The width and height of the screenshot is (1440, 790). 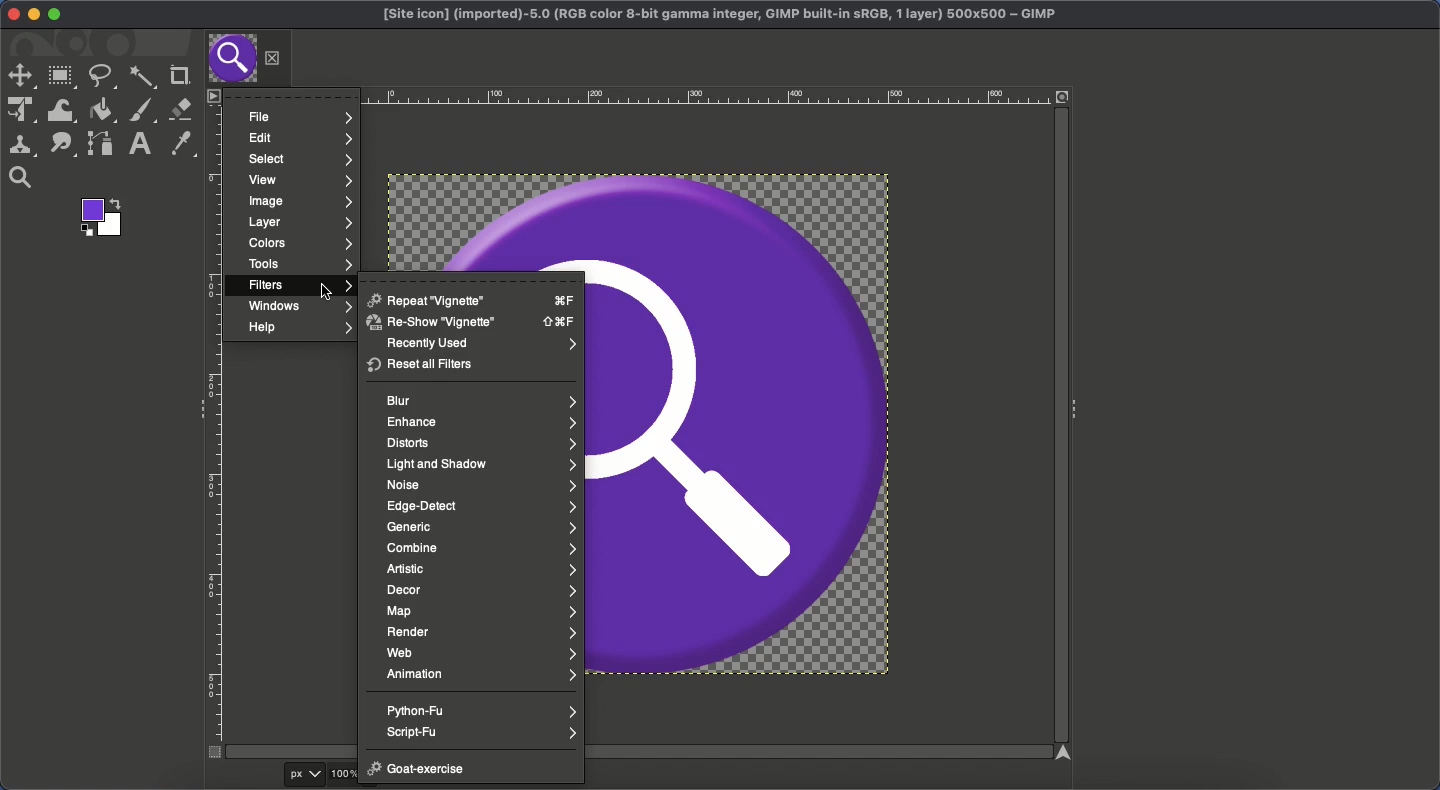 I want to click on Render, so click(x=481, y=632).